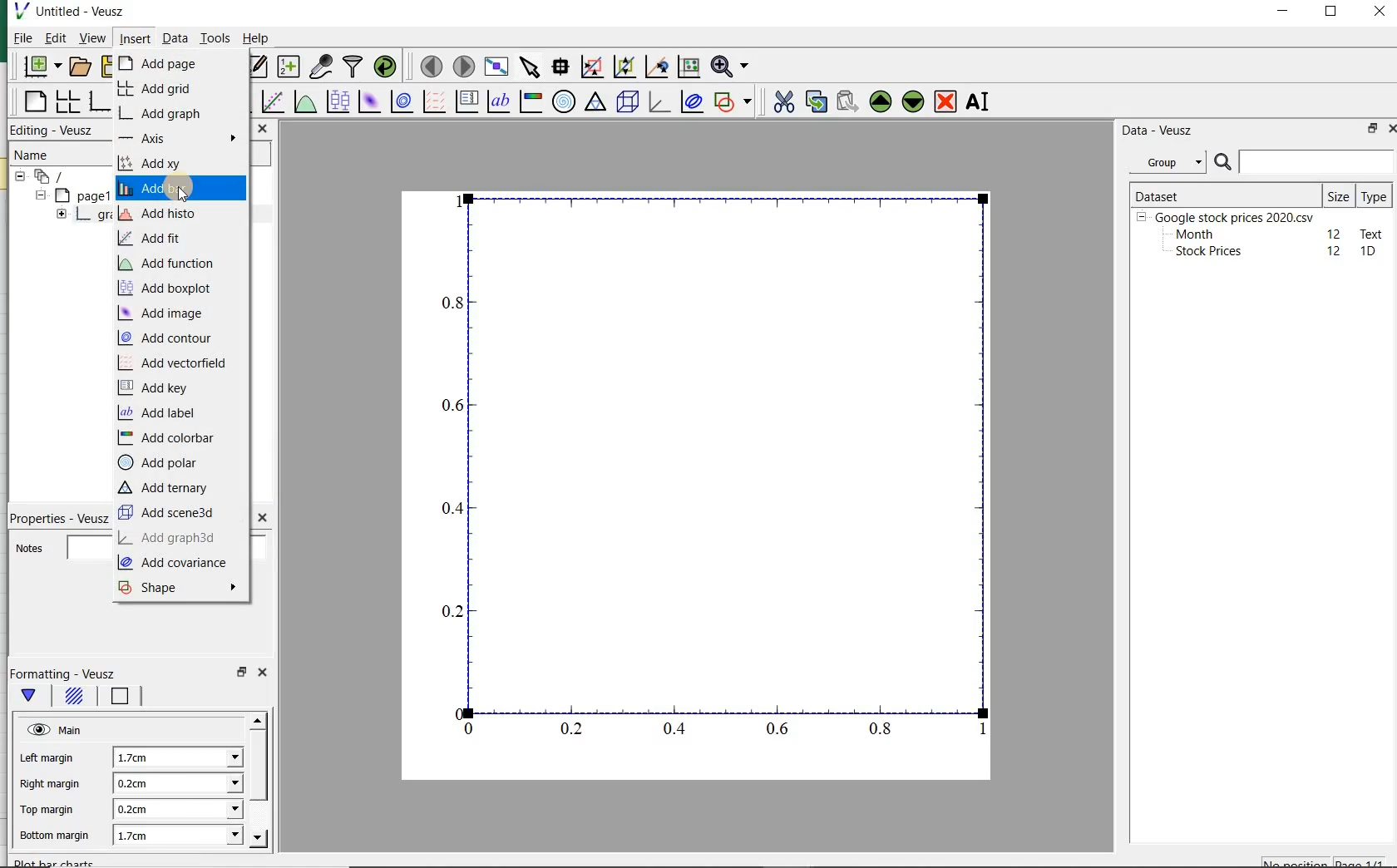 The image size is (1397, 868). What do you see at coordinates (654, 67) in the screenshot?
I see `click to recenter graph axes` at bounding box center [654, 67].